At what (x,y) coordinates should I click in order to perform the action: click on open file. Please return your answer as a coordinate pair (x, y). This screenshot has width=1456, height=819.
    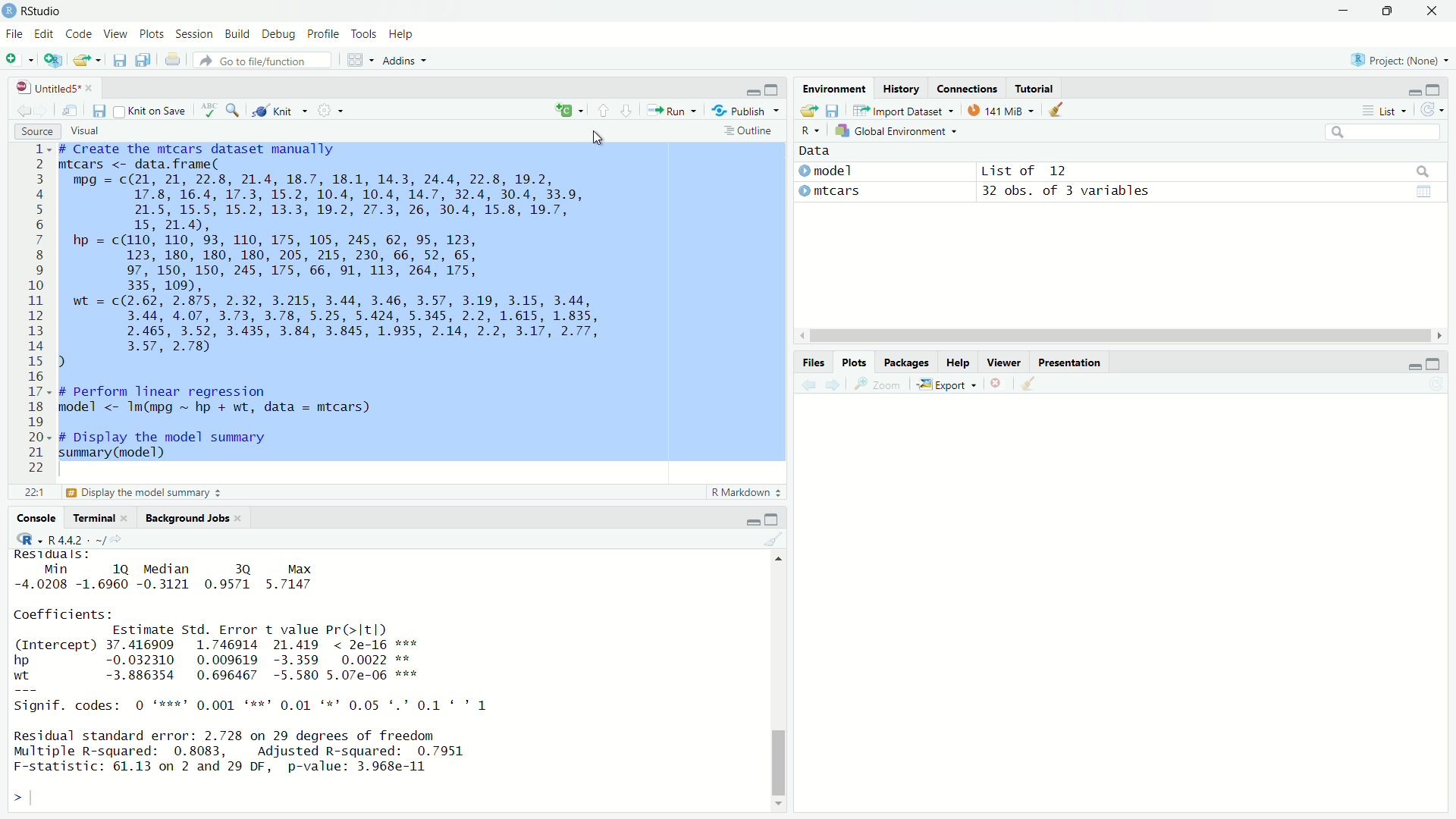
    Looking at the image, I should click on (86, 60).